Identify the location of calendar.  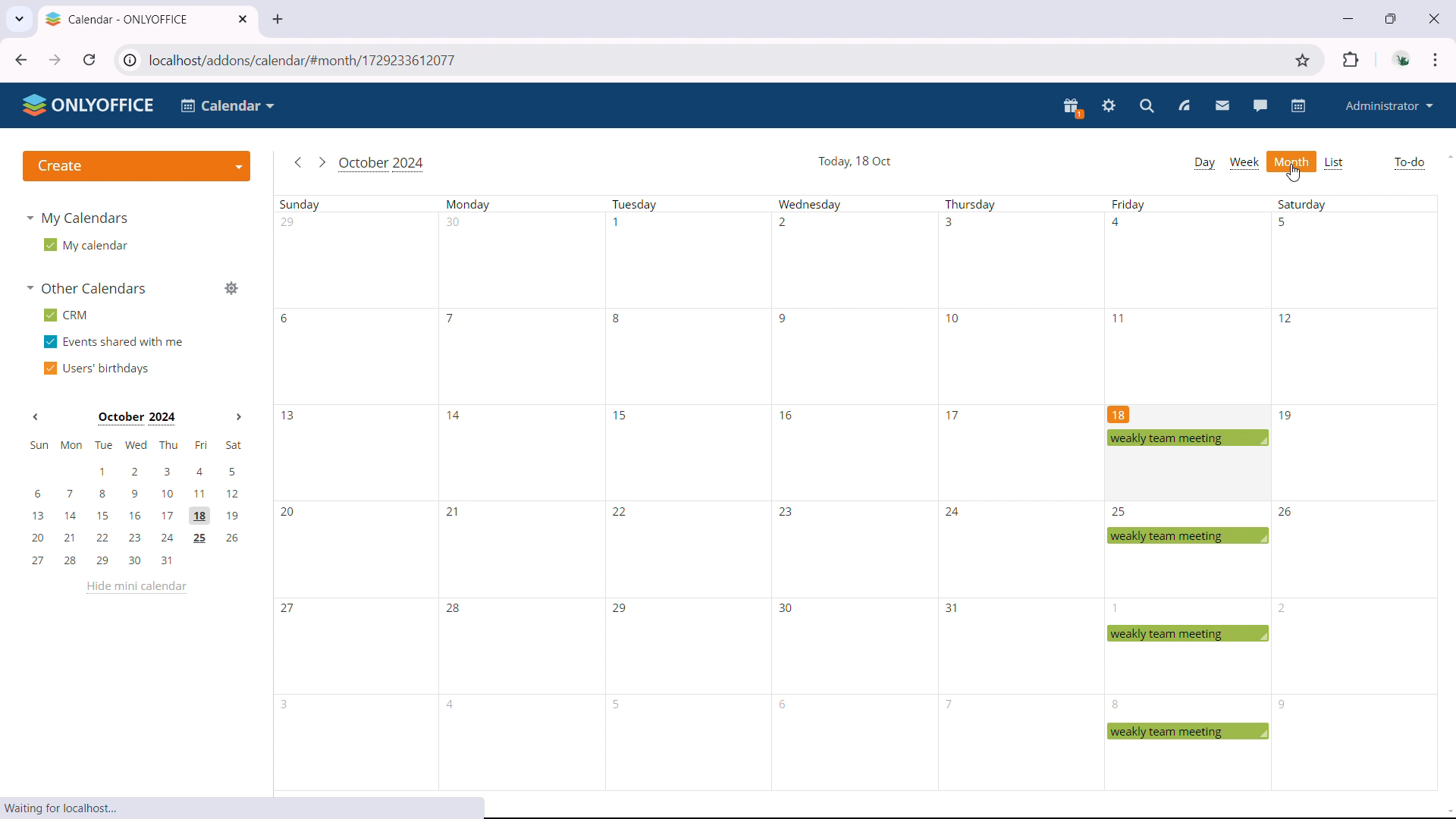
(1295, 106).